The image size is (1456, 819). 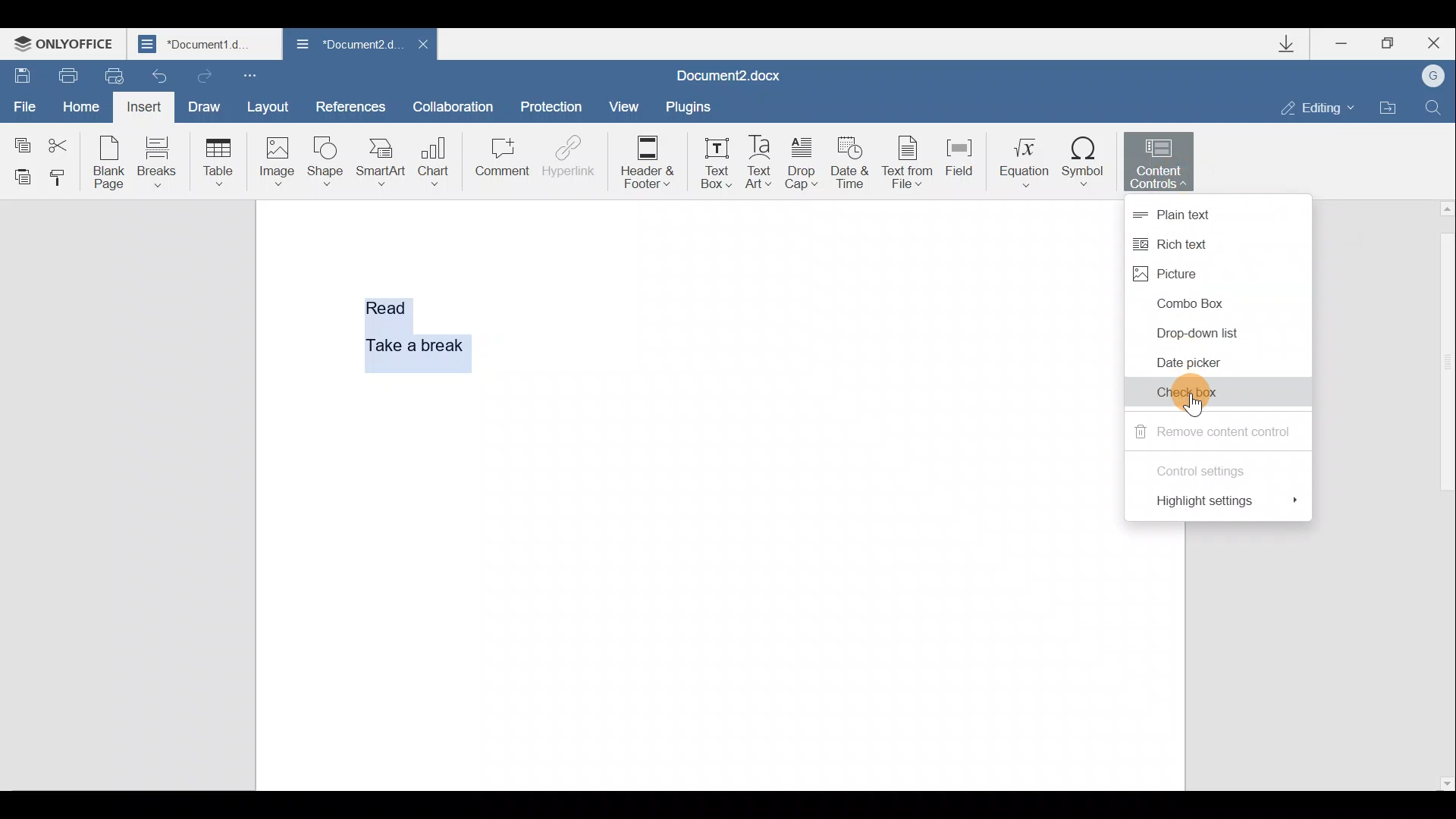 I want to click on Copy, so click(x=20, y=137).